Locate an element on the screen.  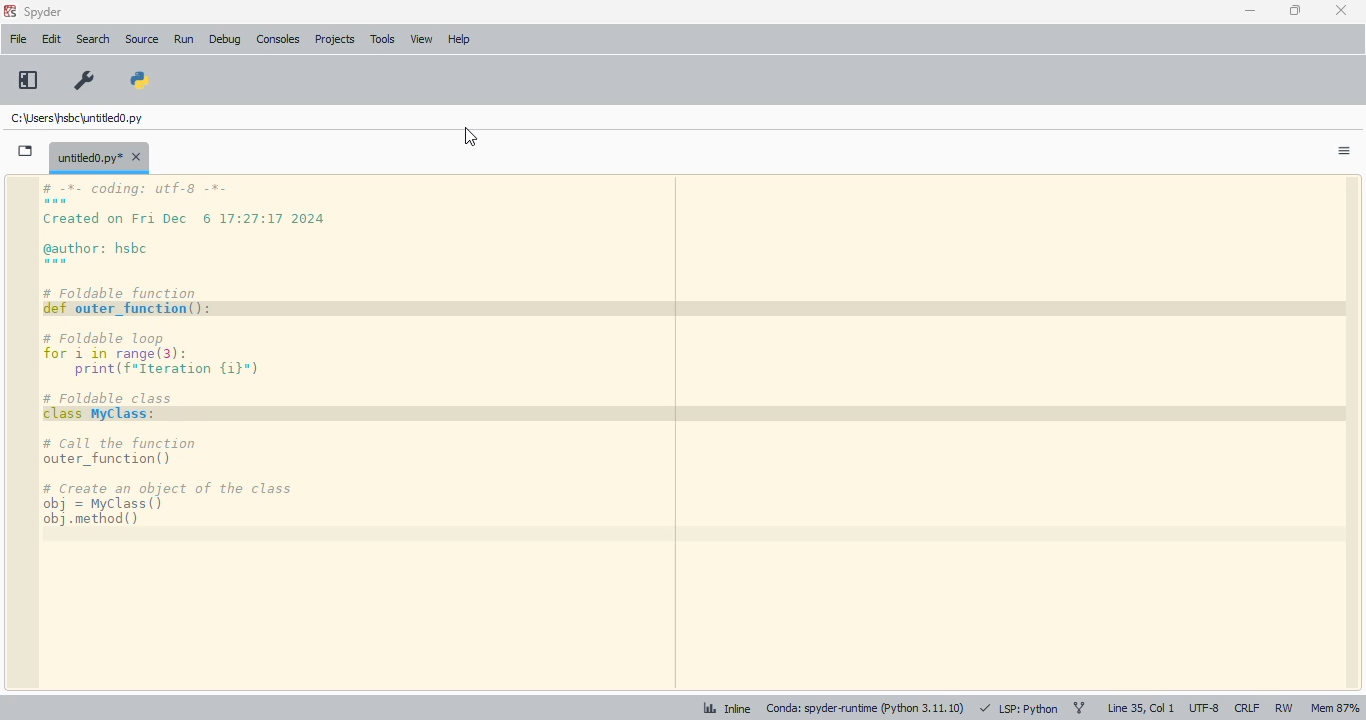
consoles is located at coordinates (279, 39).